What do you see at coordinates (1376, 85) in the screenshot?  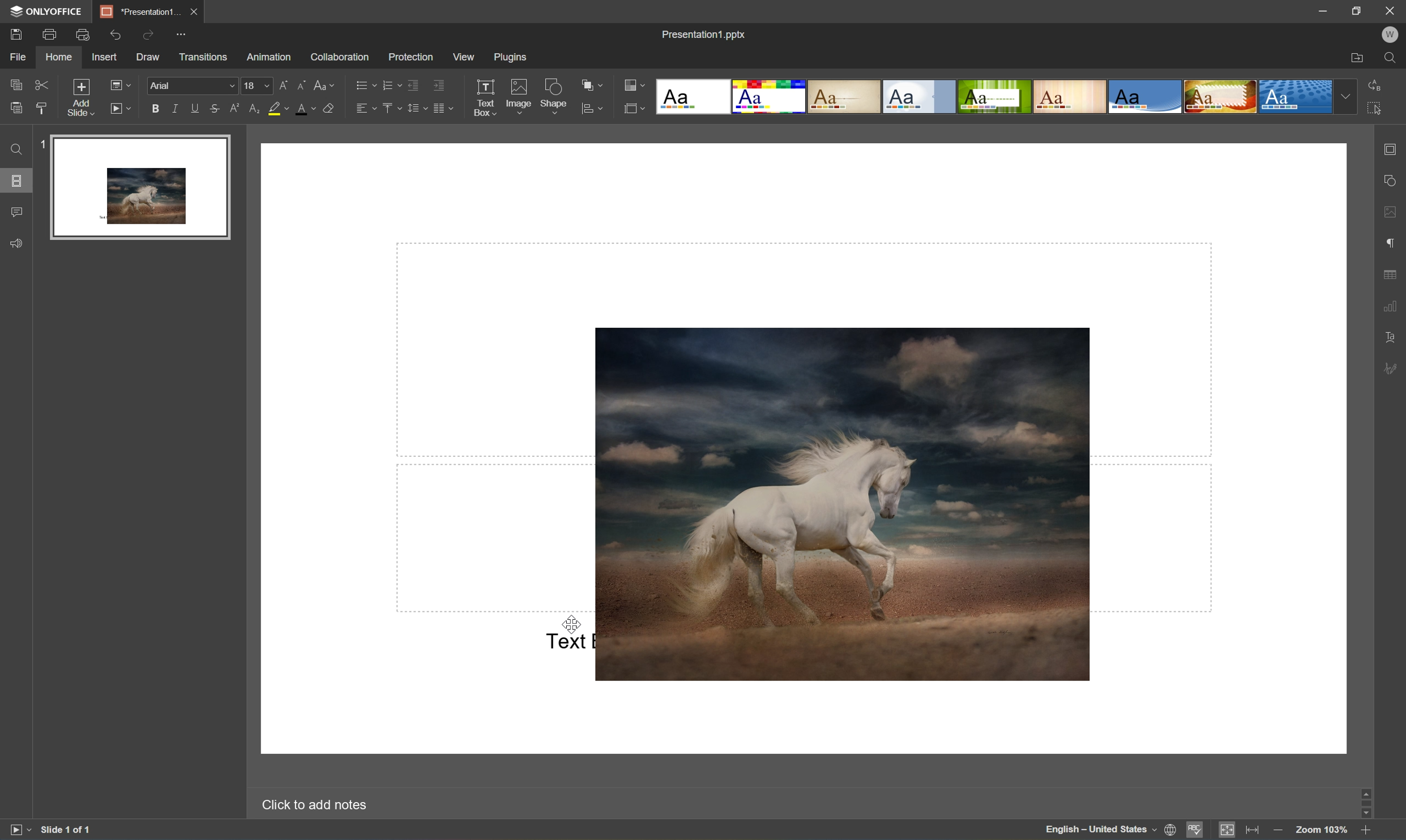 I see `Replace` at bounding box center [1376, 85].